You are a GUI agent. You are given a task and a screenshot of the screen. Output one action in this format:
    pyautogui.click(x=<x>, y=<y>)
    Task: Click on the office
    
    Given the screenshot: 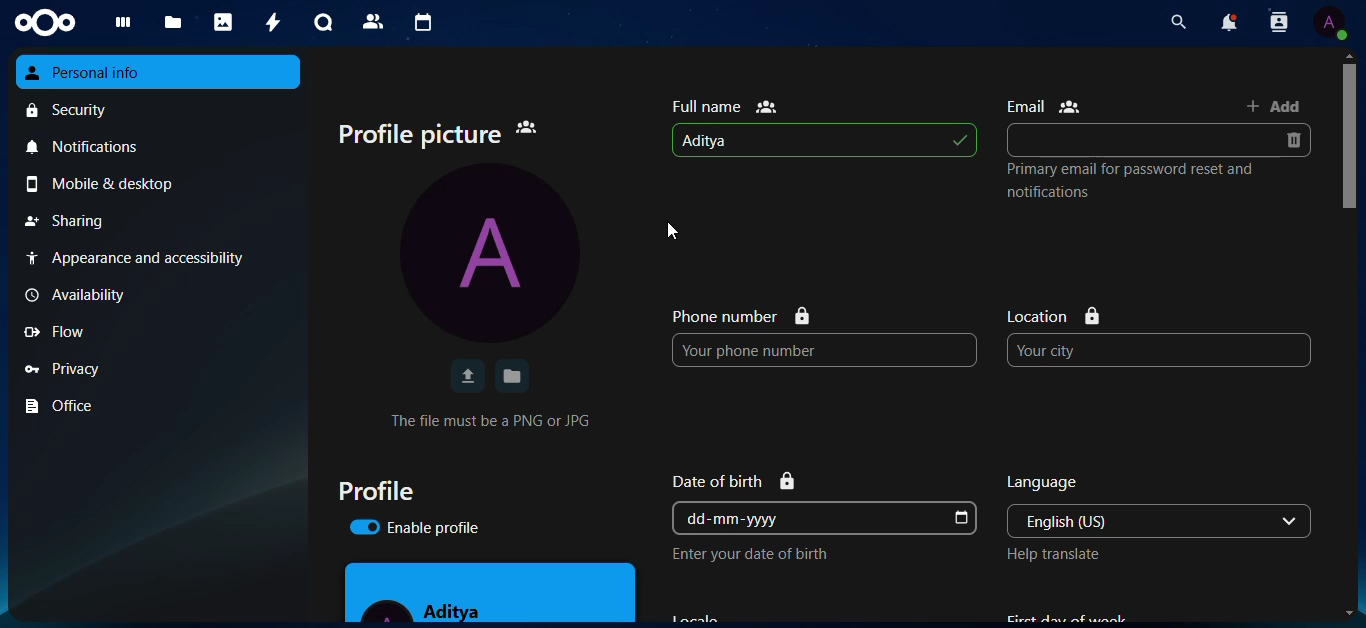 What is the action you would take?
    pyautogui.click(x=160, y=406)
    